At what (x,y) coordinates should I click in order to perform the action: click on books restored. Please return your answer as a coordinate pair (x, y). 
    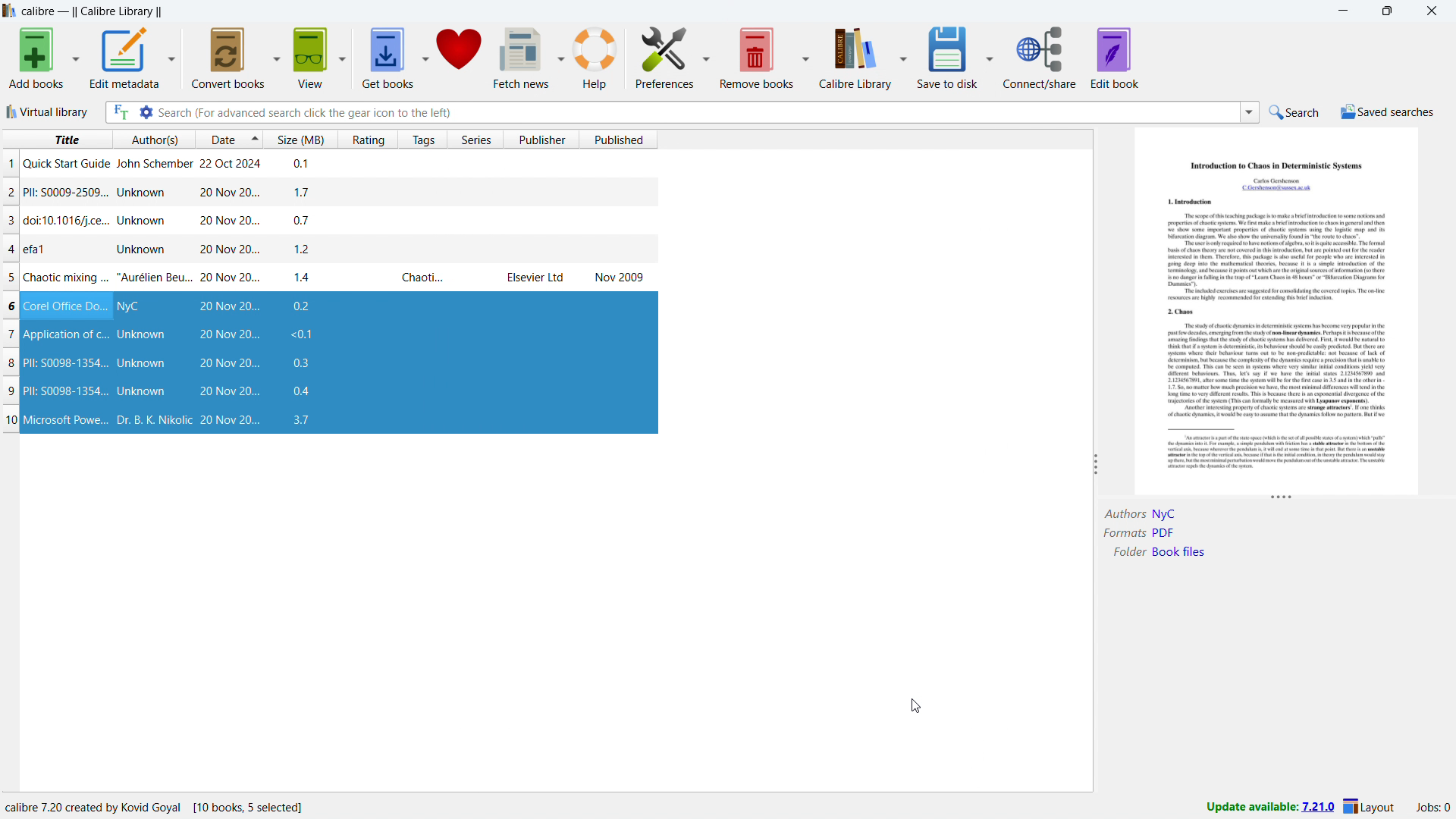
    Looking at the image, I should click on (335, 364).